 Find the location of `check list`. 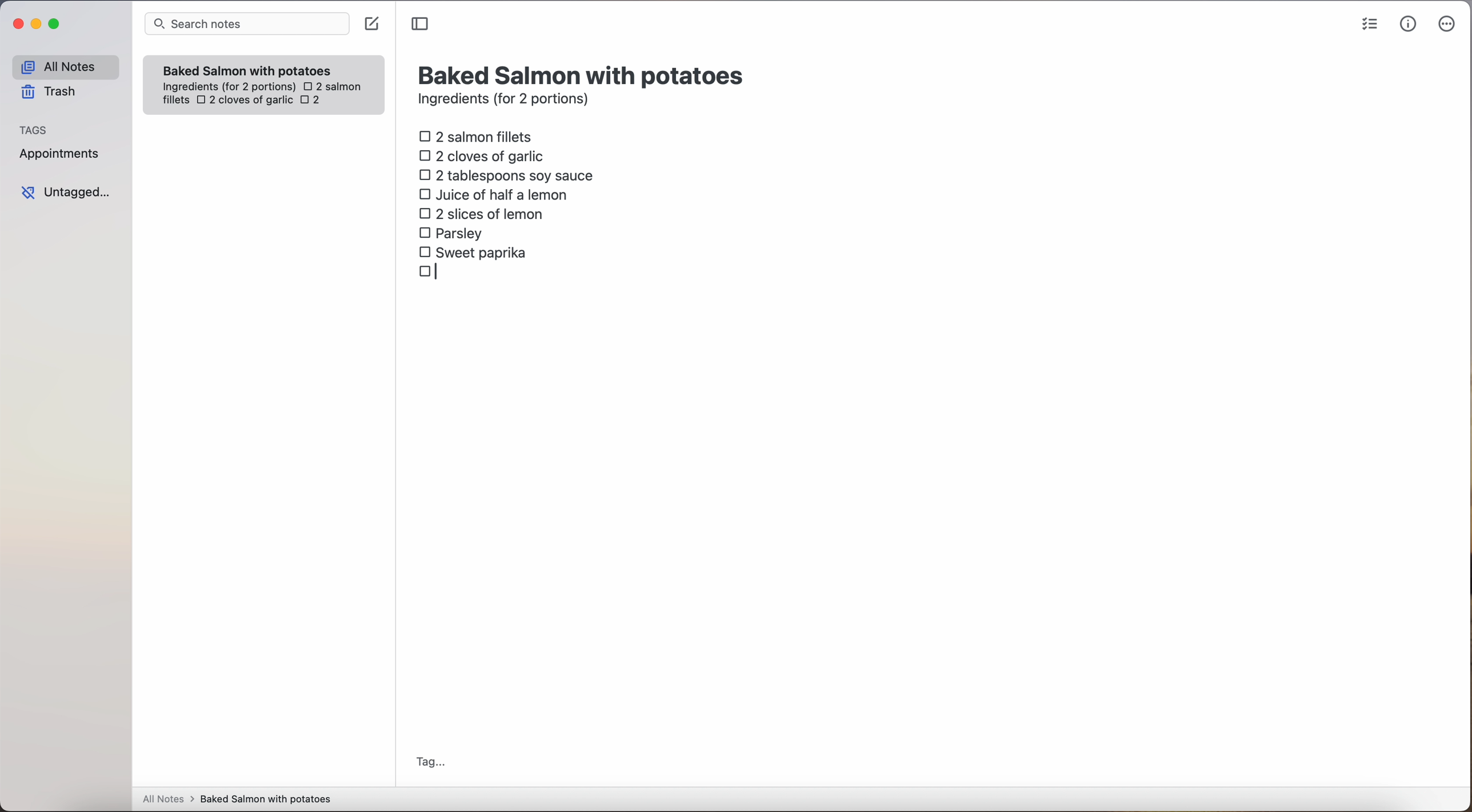

check list is located at coordinates (1370, 25).